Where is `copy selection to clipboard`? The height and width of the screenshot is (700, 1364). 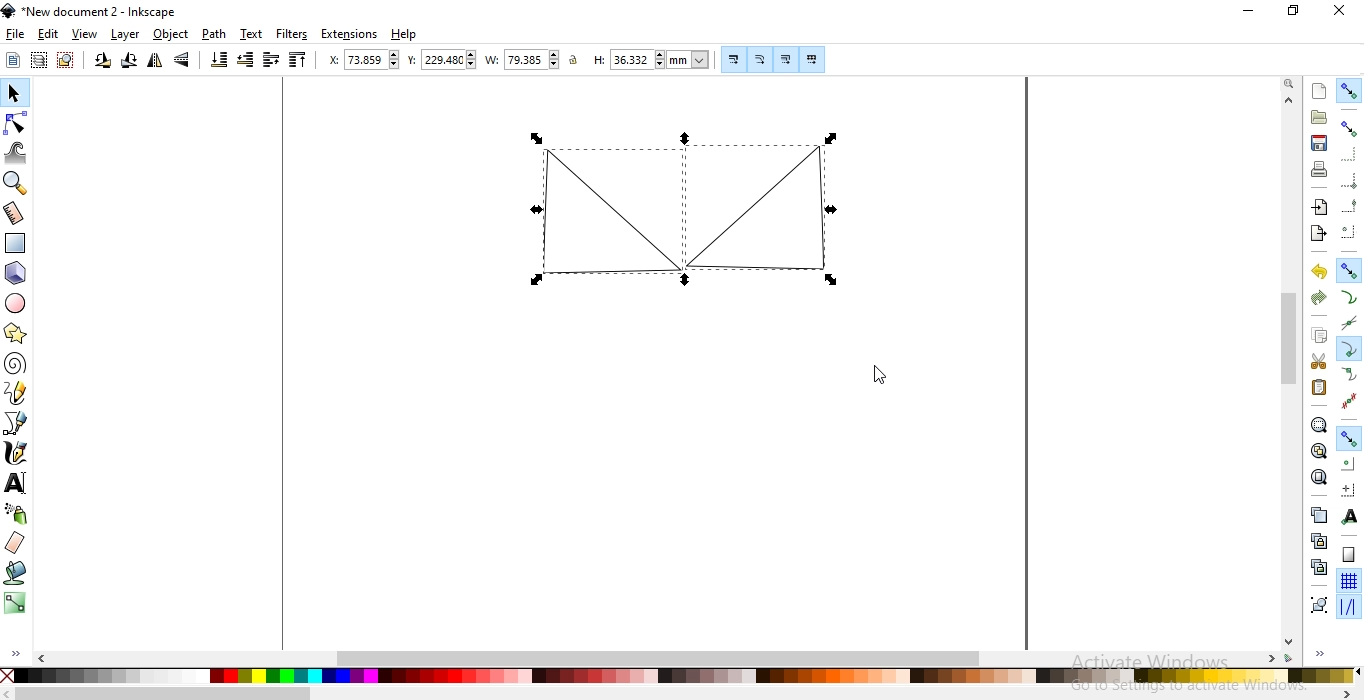 copy selection to clipboard is located at coordinates (1320, 337).